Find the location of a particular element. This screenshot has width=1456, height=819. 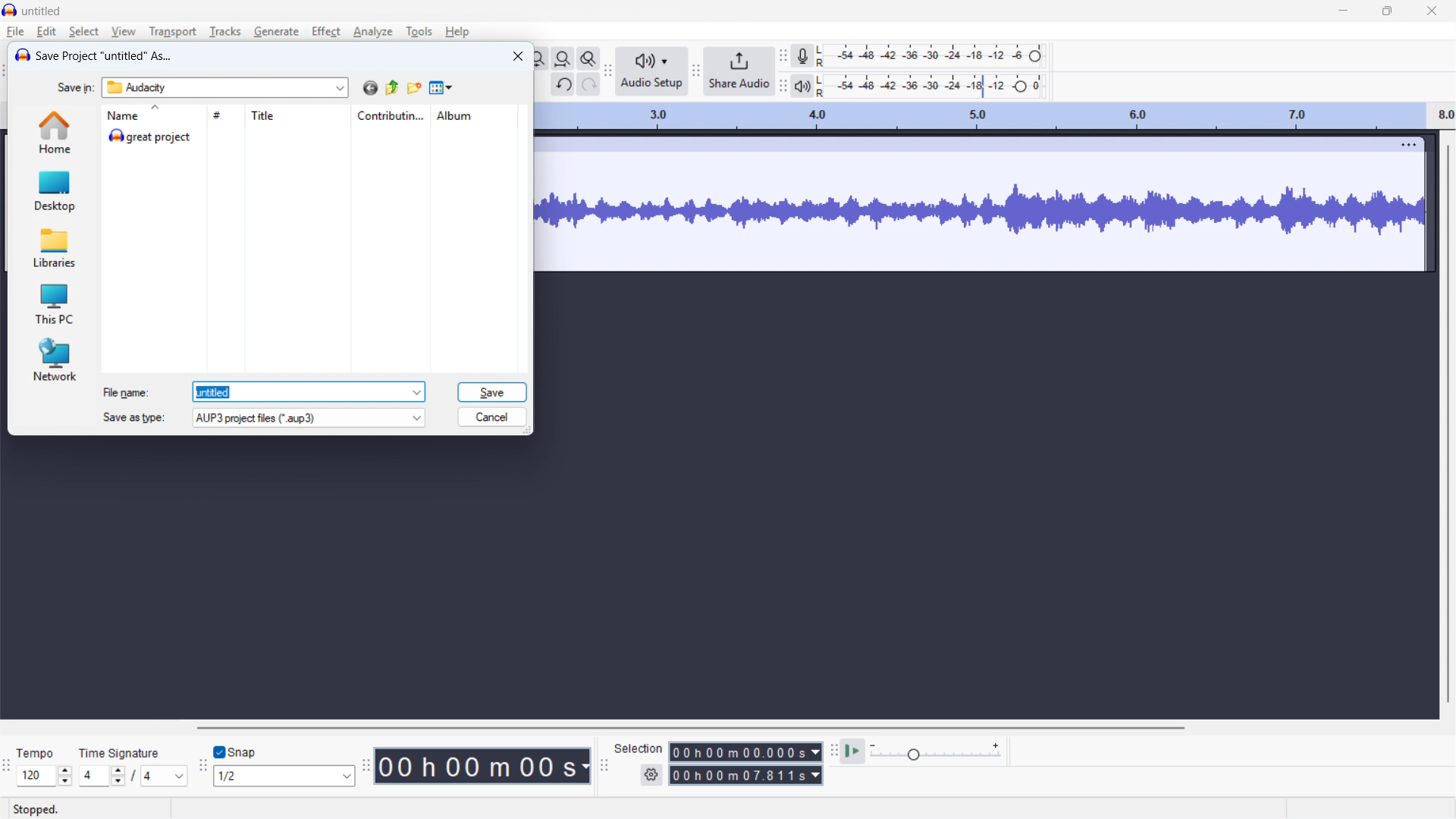

track options is located at coordinates (1399, 144).